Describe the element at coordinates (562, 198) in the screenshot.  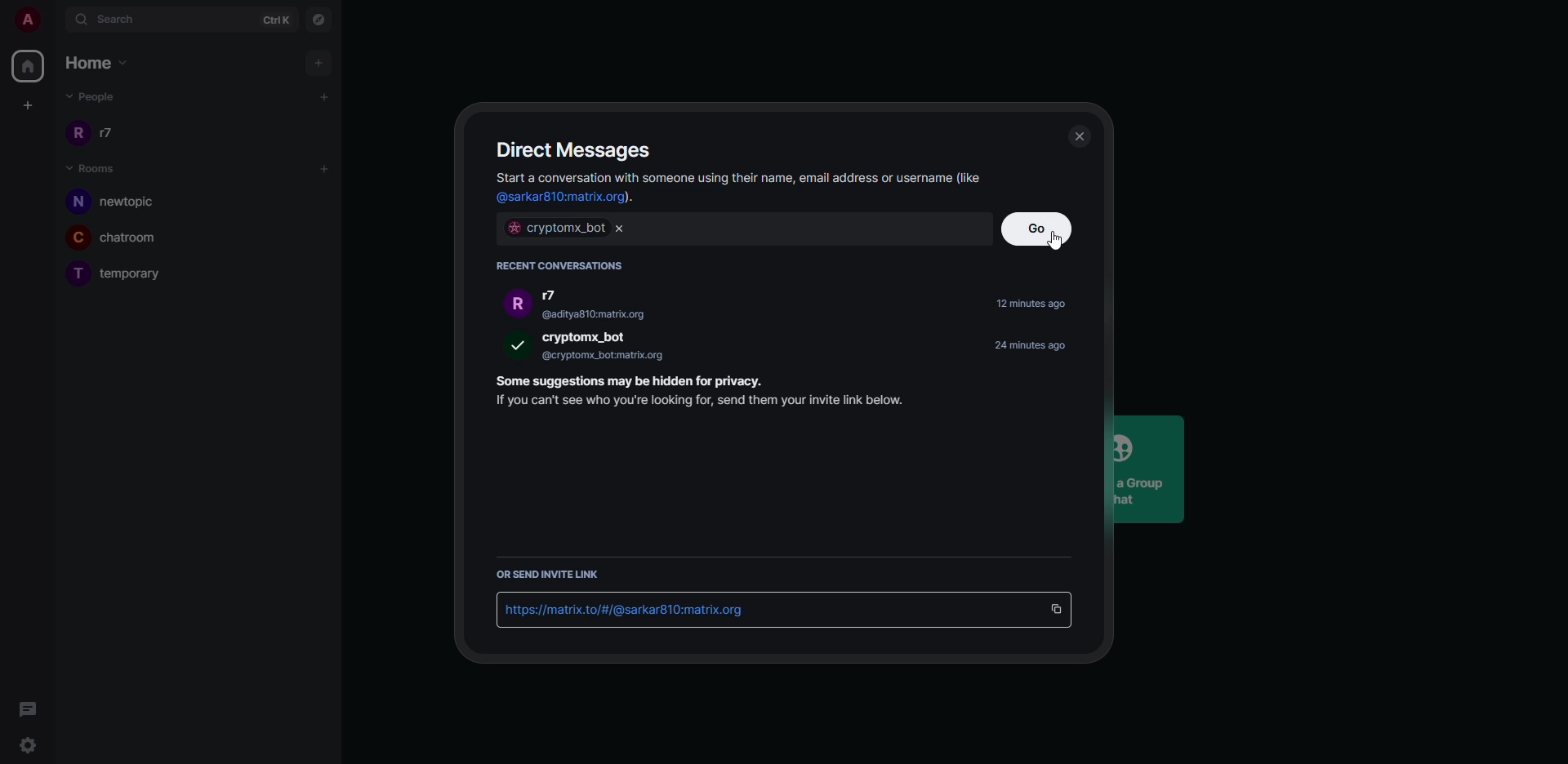
I see `id` at that location.